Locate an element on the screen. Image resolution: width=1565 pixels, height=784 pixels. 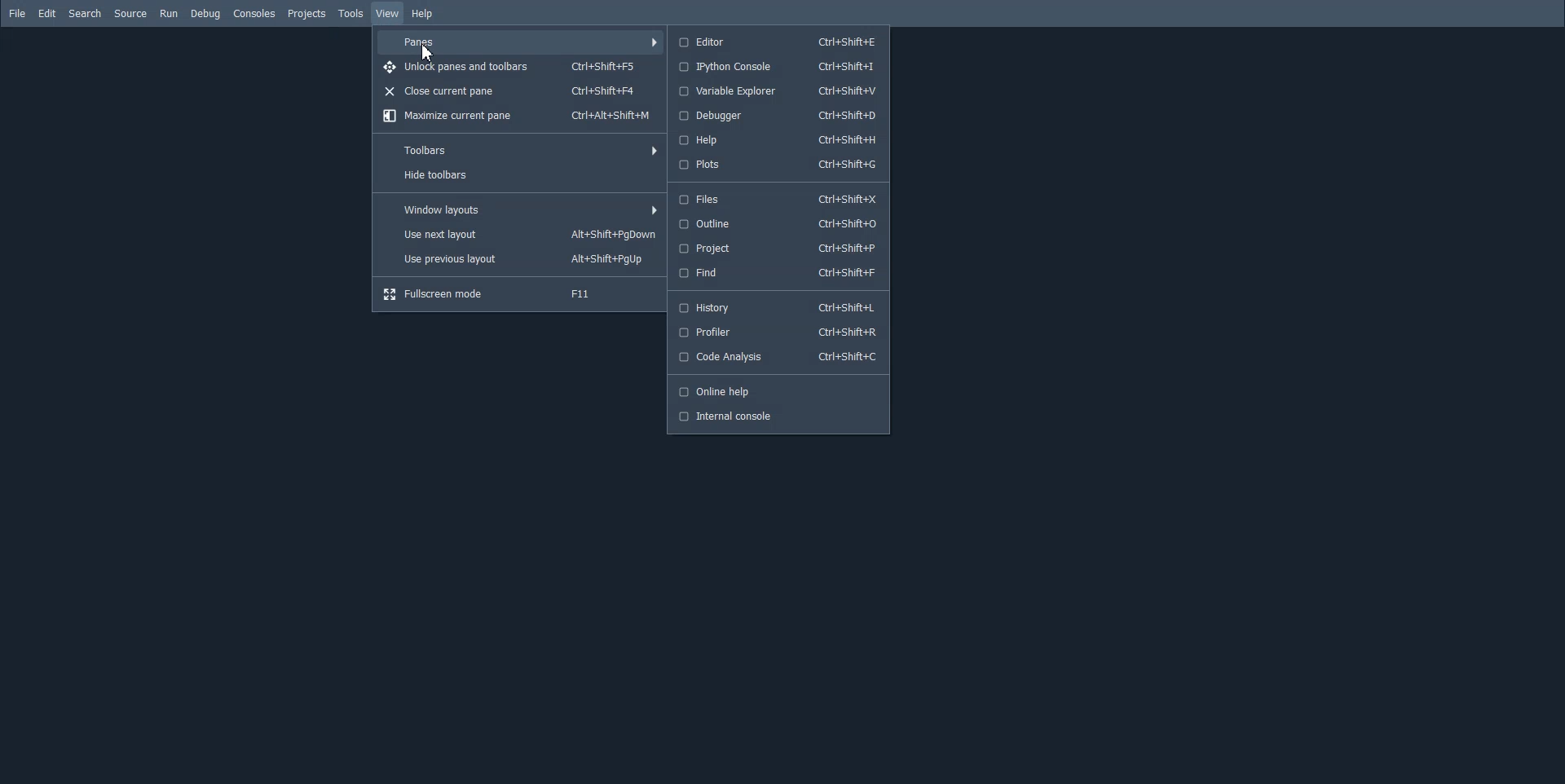
Search is located at coordinates (86, 13).